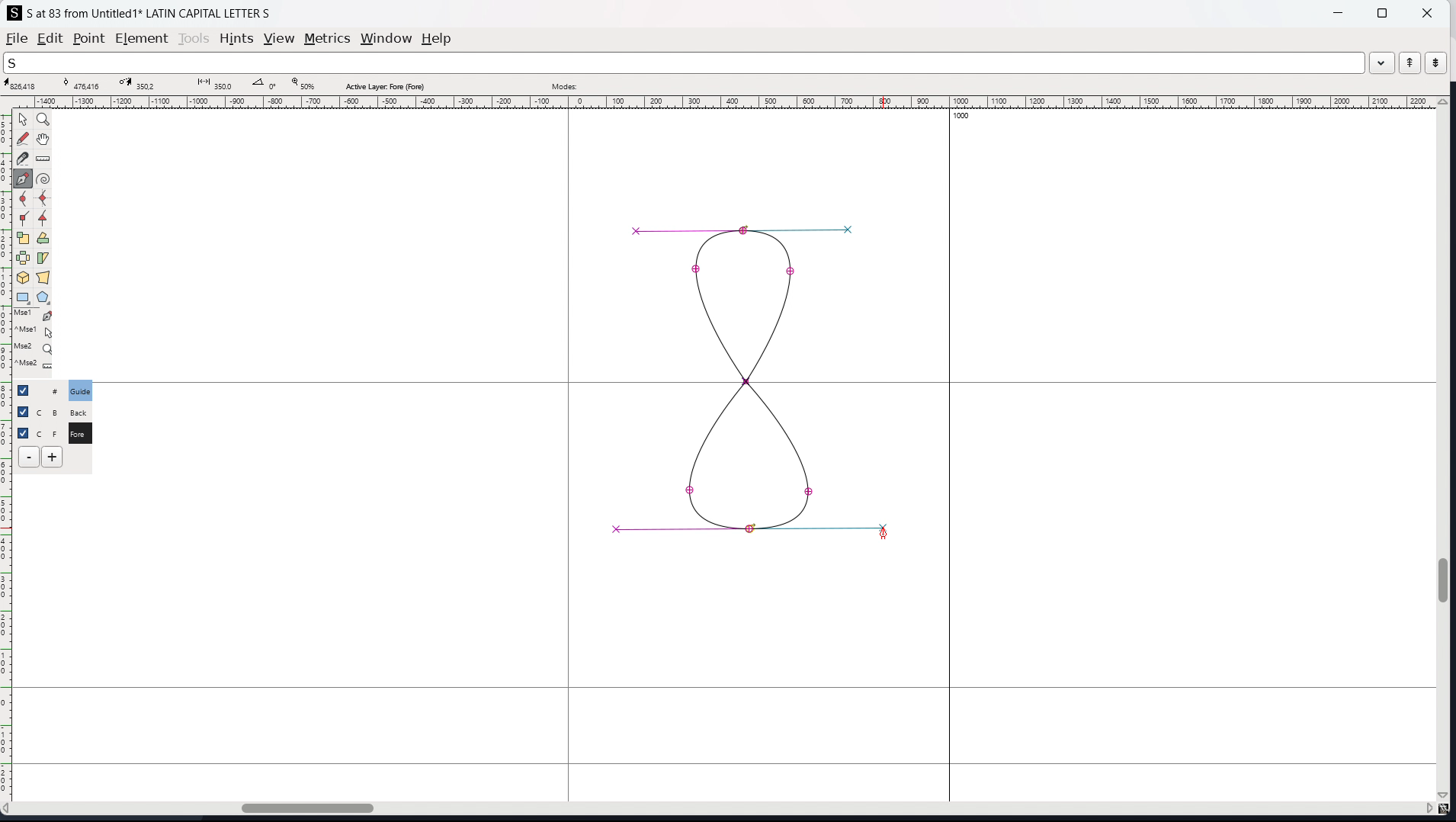 Image resolution: width=1456 pixels, height=822 pixels. I want to click on tools, so click(195, 38).